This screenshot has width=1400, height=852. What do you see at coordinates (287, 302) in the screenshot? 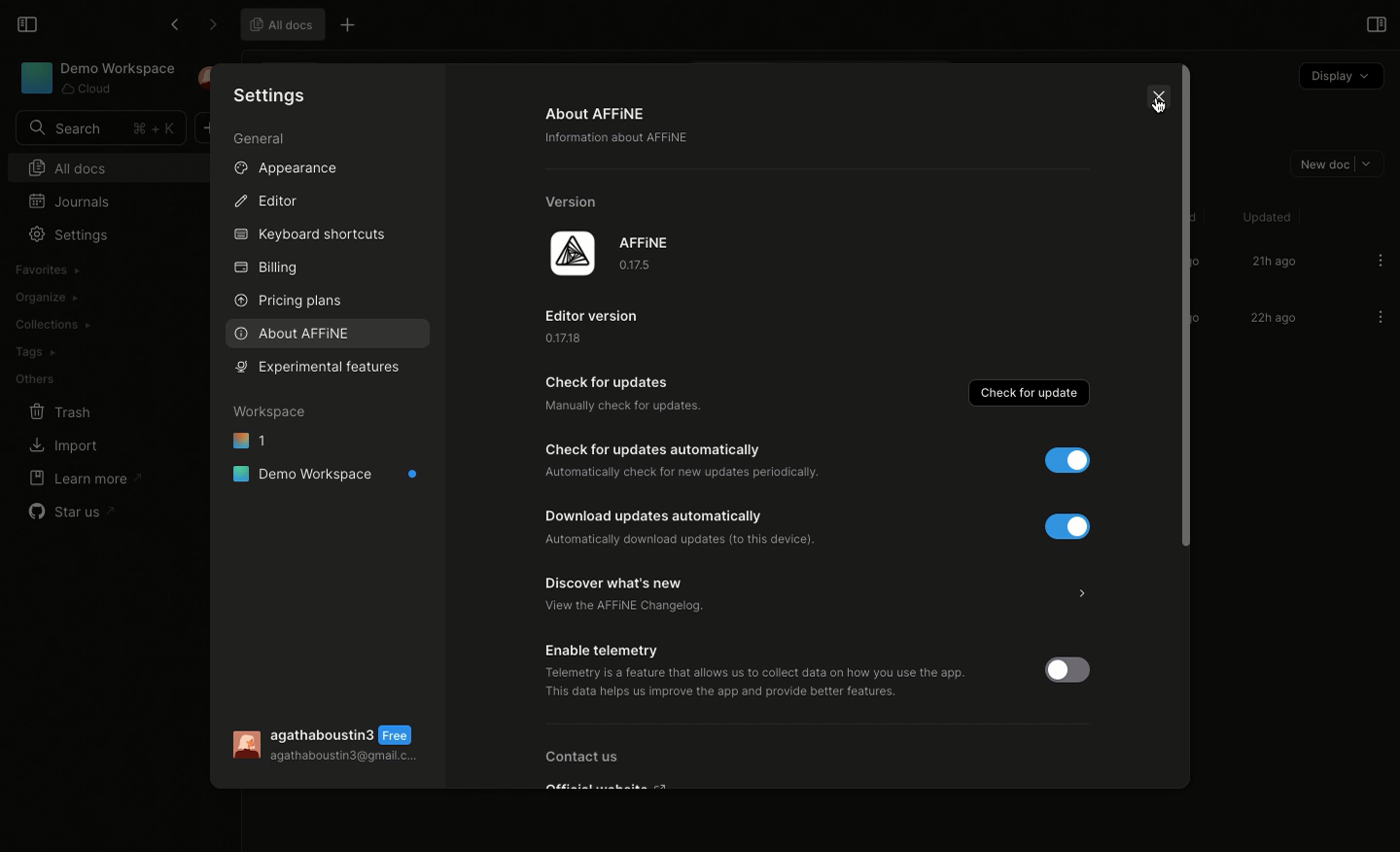
I see `Pricing plans` at bounding box center [287, 302].